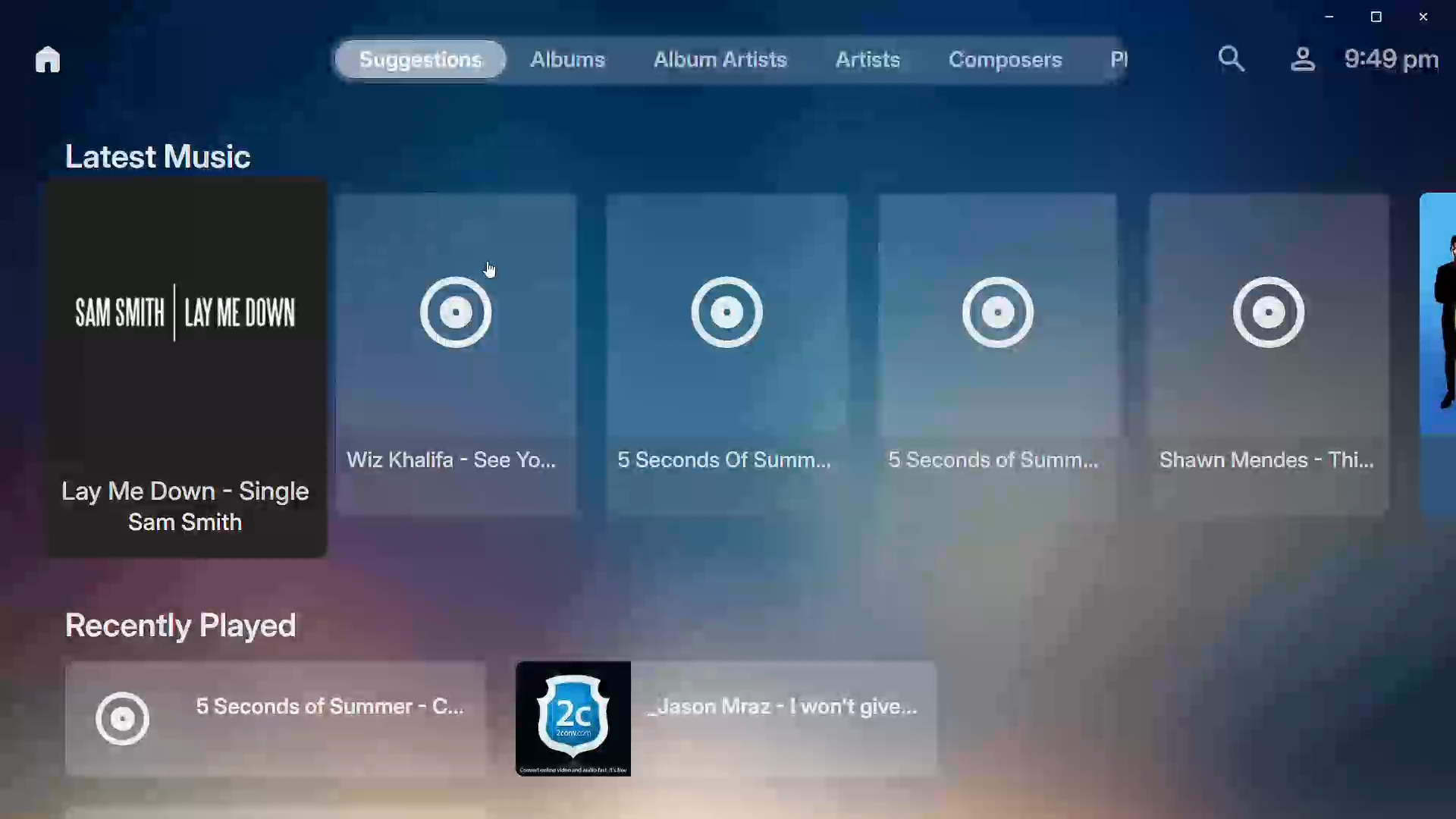 The height and width of the screenshot is (819, 1456). Describe the element at coordinates (724, 722) in the screenshot. I see `Jason Mraz` at that location.